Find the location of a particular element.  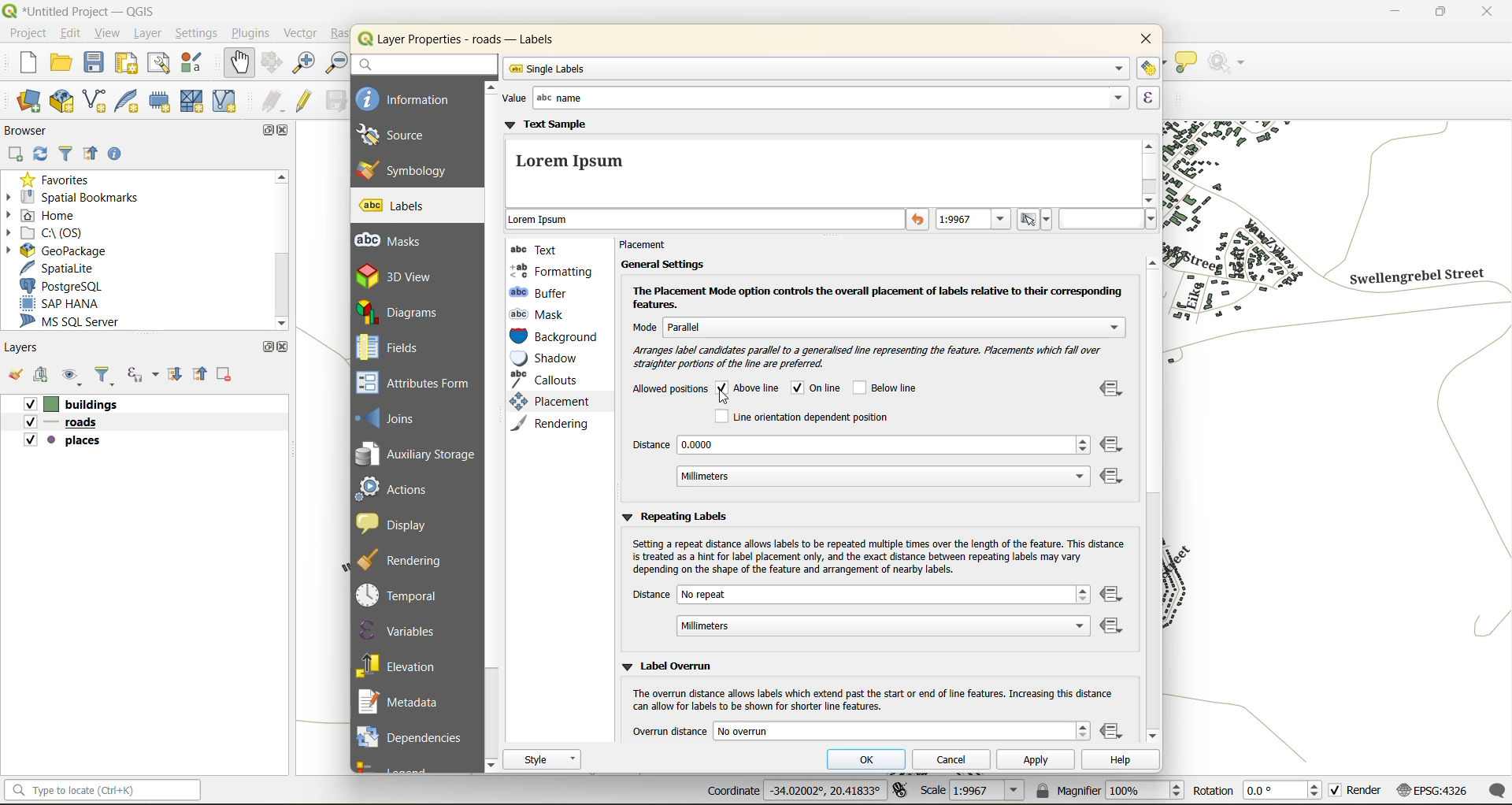

print layout is located at coordinates (128, 65).